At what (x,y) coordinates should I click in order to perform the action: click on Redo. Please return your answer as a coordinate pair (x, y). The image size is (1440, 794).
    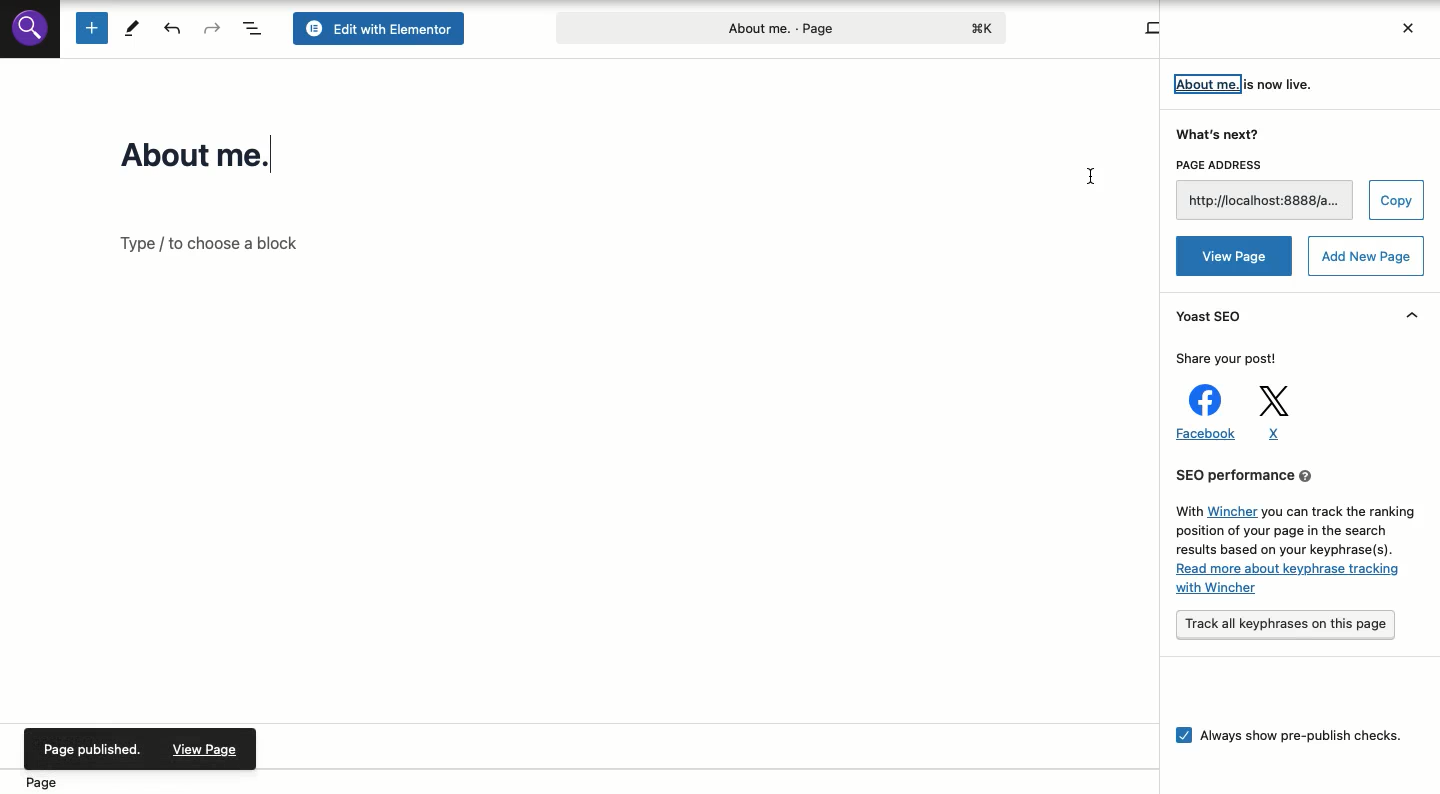
    Looking at the image, I should click on (213, 28).